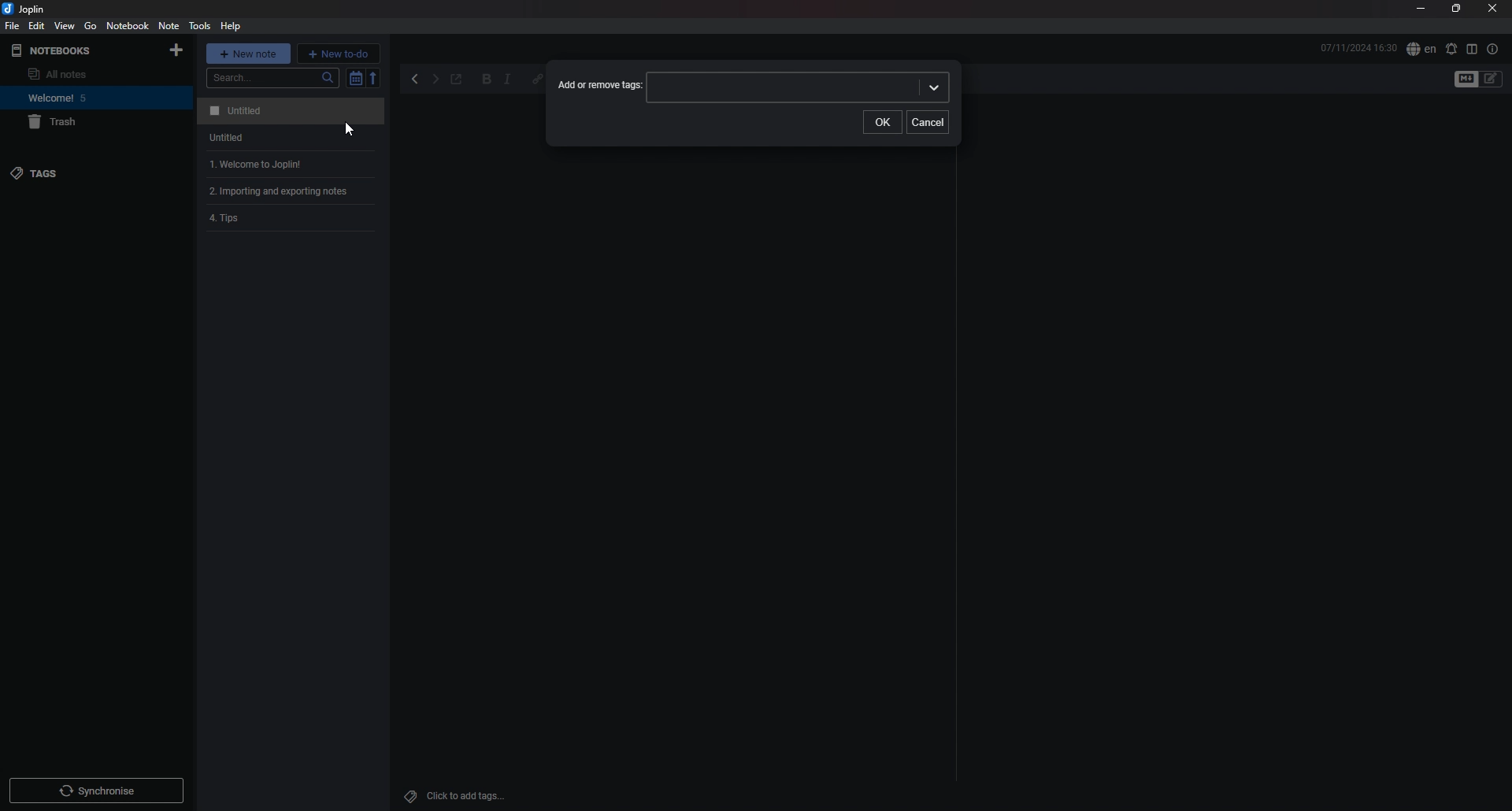 This screenshot has width=1512, height=811. I want to click on new note, so click(249, 53).